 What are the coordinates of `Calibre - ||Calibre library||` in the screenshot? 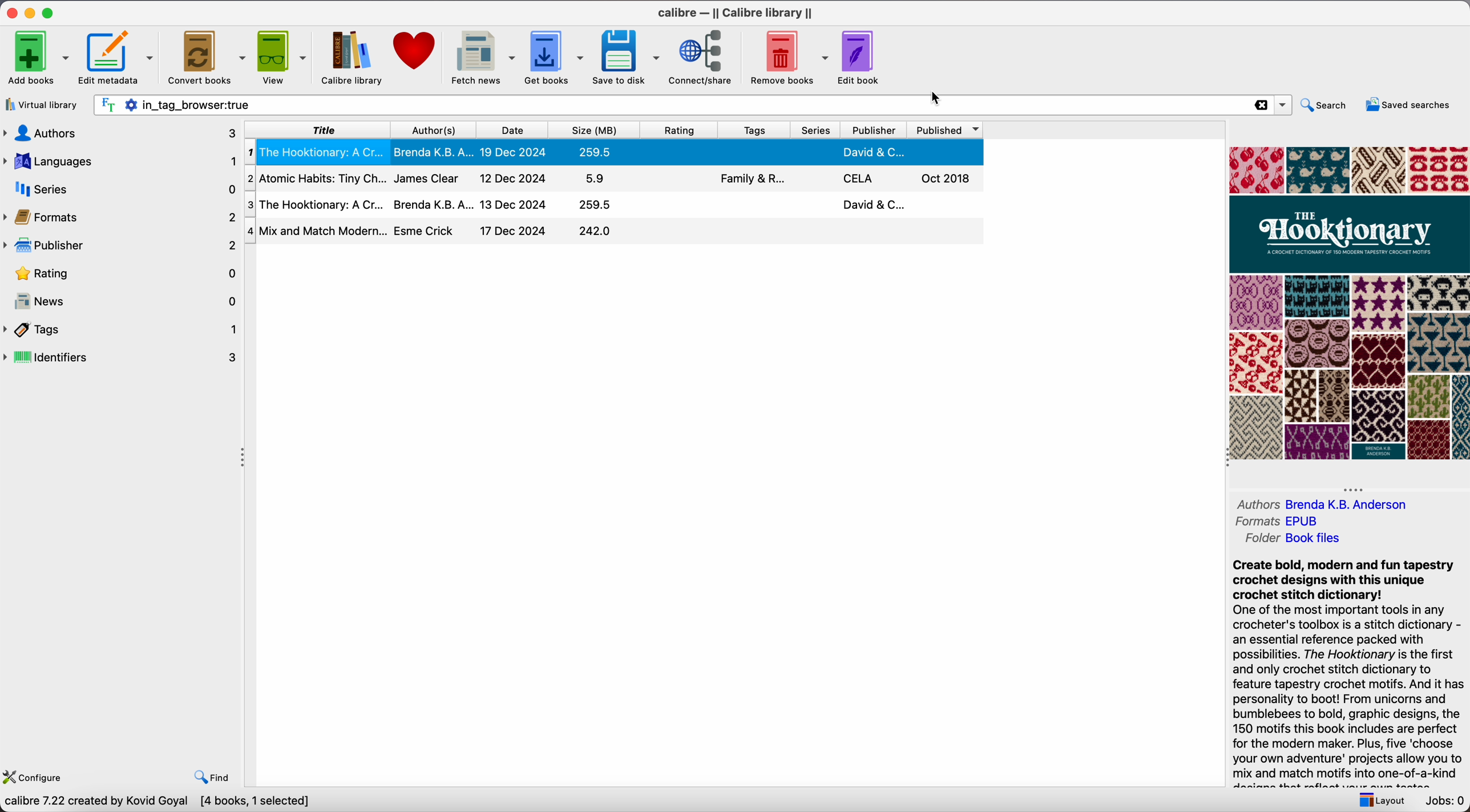 It's located at (736, 12).